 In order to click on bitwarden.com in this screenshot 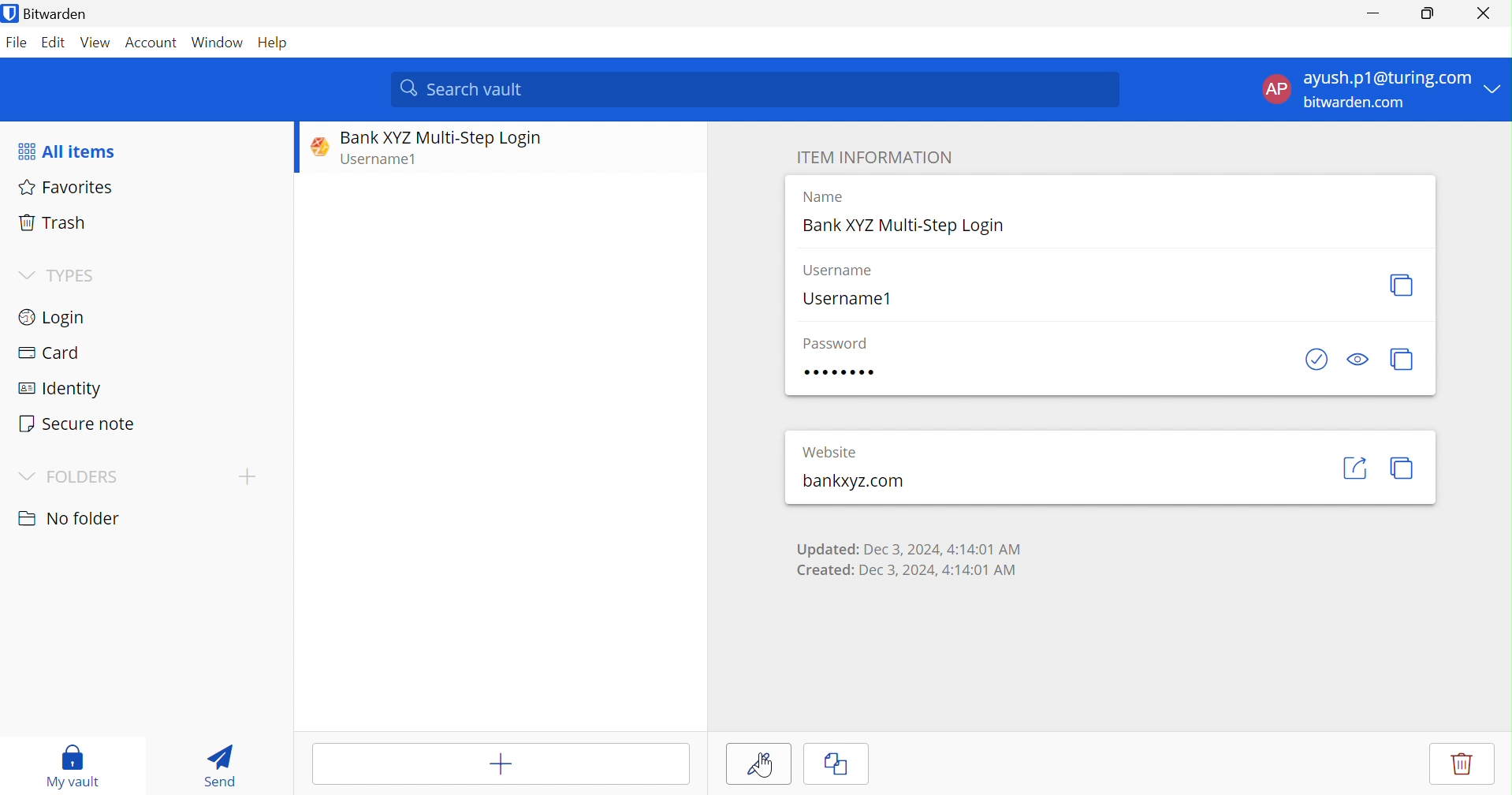, I will do `click(1356, 103)`.